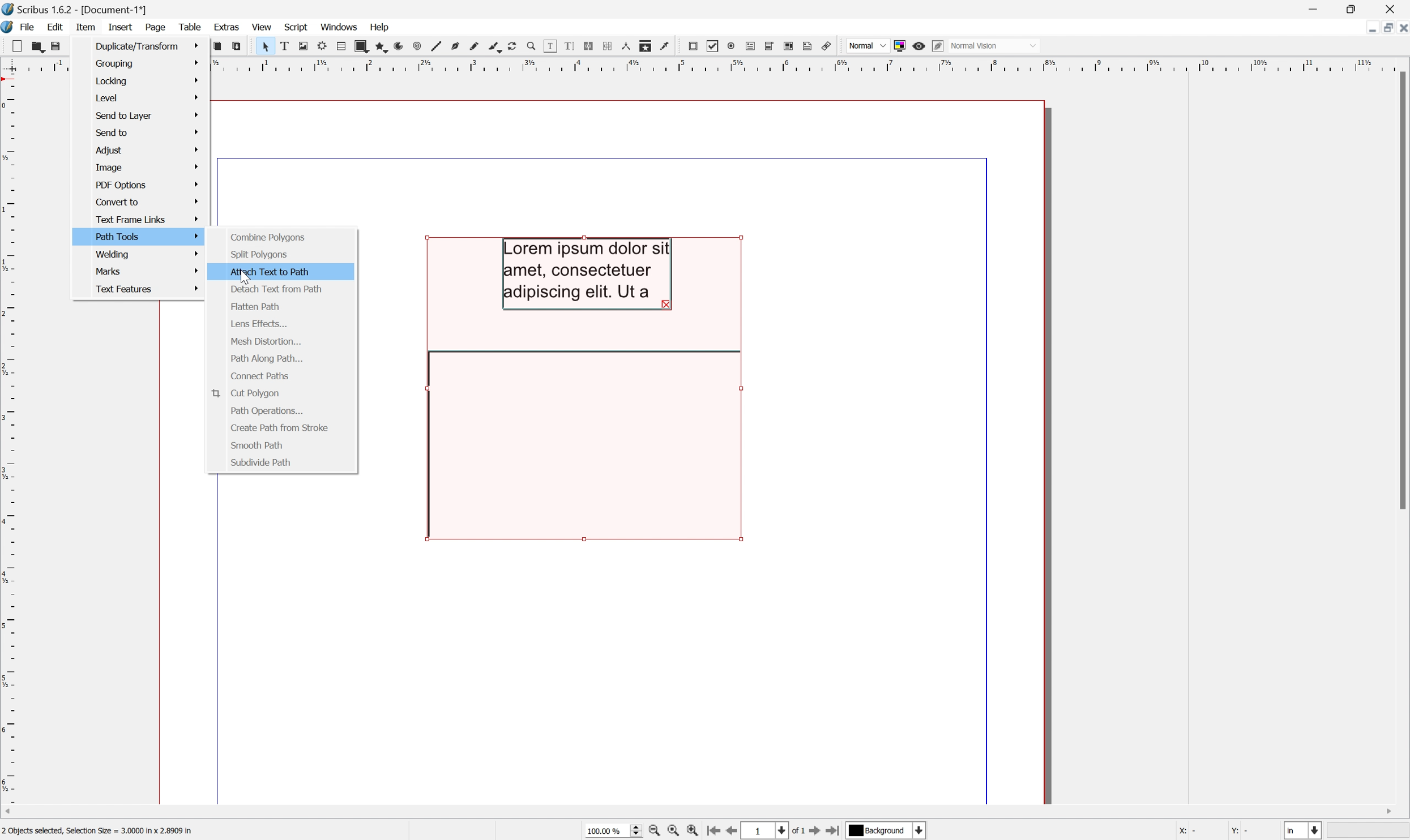 This screenshot has width=1410, height=840. I want to click on PDF Options, so click(145, 185).